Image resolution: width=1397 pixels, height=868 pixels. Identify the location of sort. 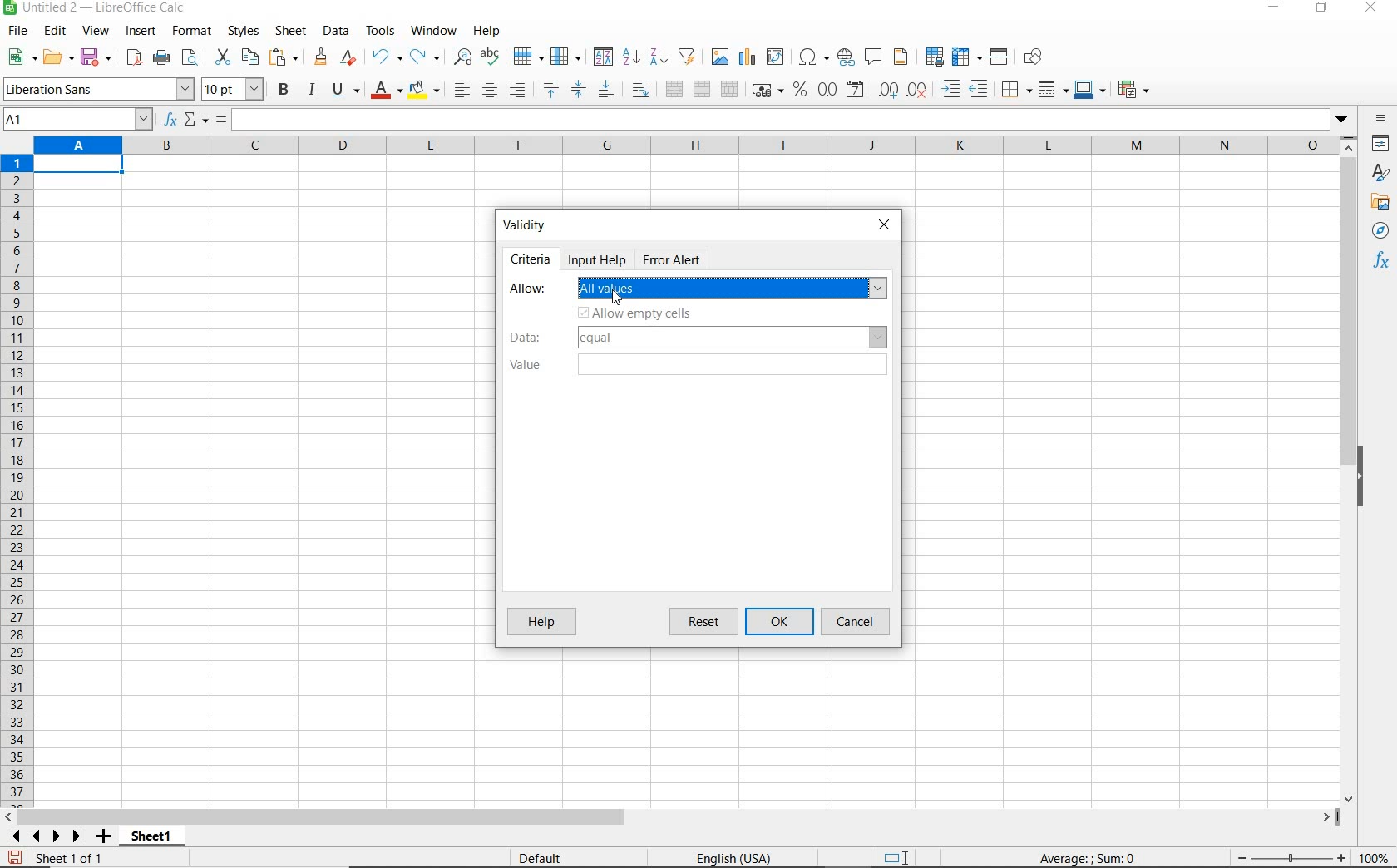
(603, 58).